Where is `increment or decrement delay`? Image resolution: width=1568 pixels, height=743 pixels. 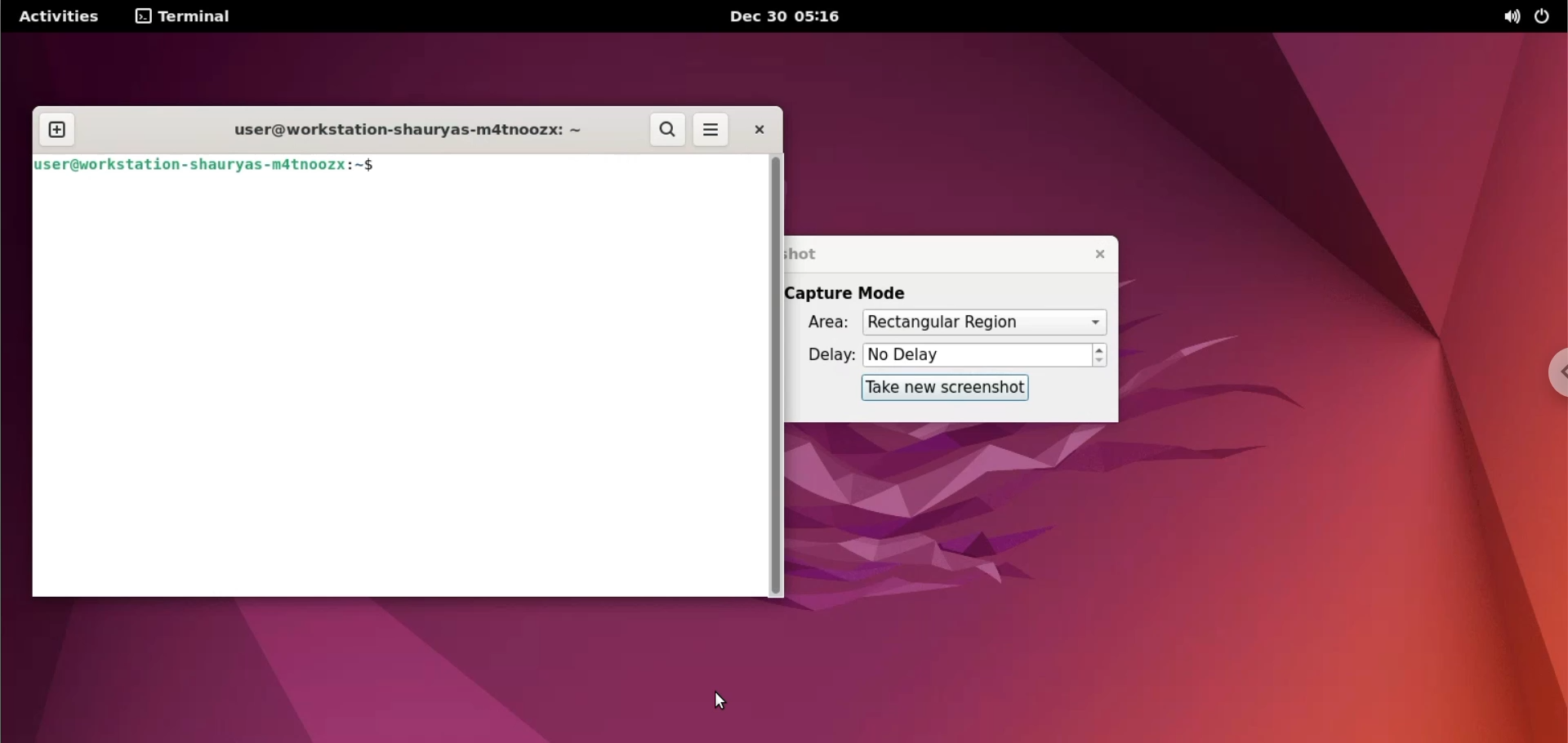 increment or decrement delay is located at coordinates (1100, 356).